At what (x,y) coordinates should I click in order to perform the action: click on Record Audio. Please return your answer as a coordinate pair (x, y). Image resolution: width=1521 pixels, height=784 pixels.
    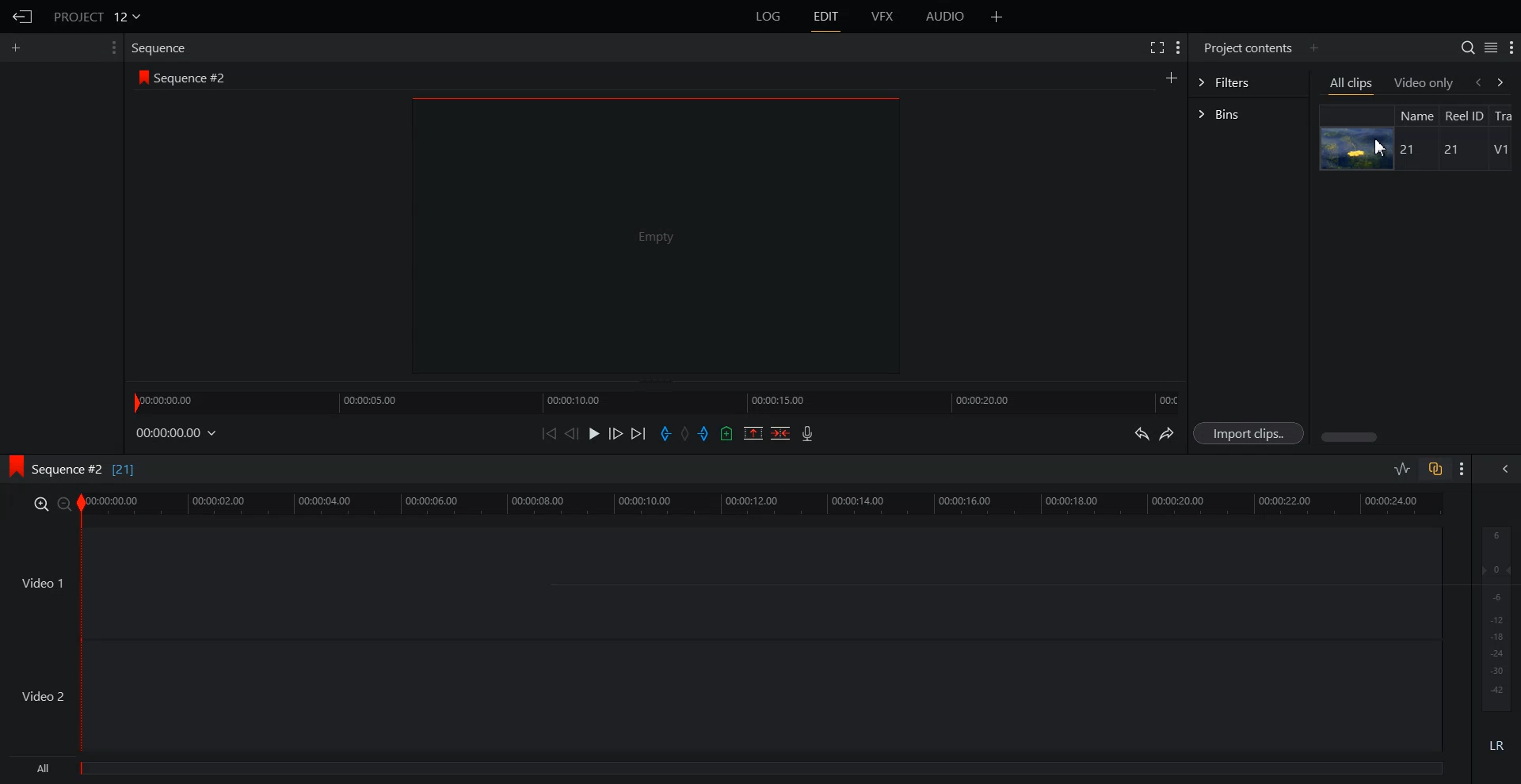
    Looking at the image, I should click on (808, 433).